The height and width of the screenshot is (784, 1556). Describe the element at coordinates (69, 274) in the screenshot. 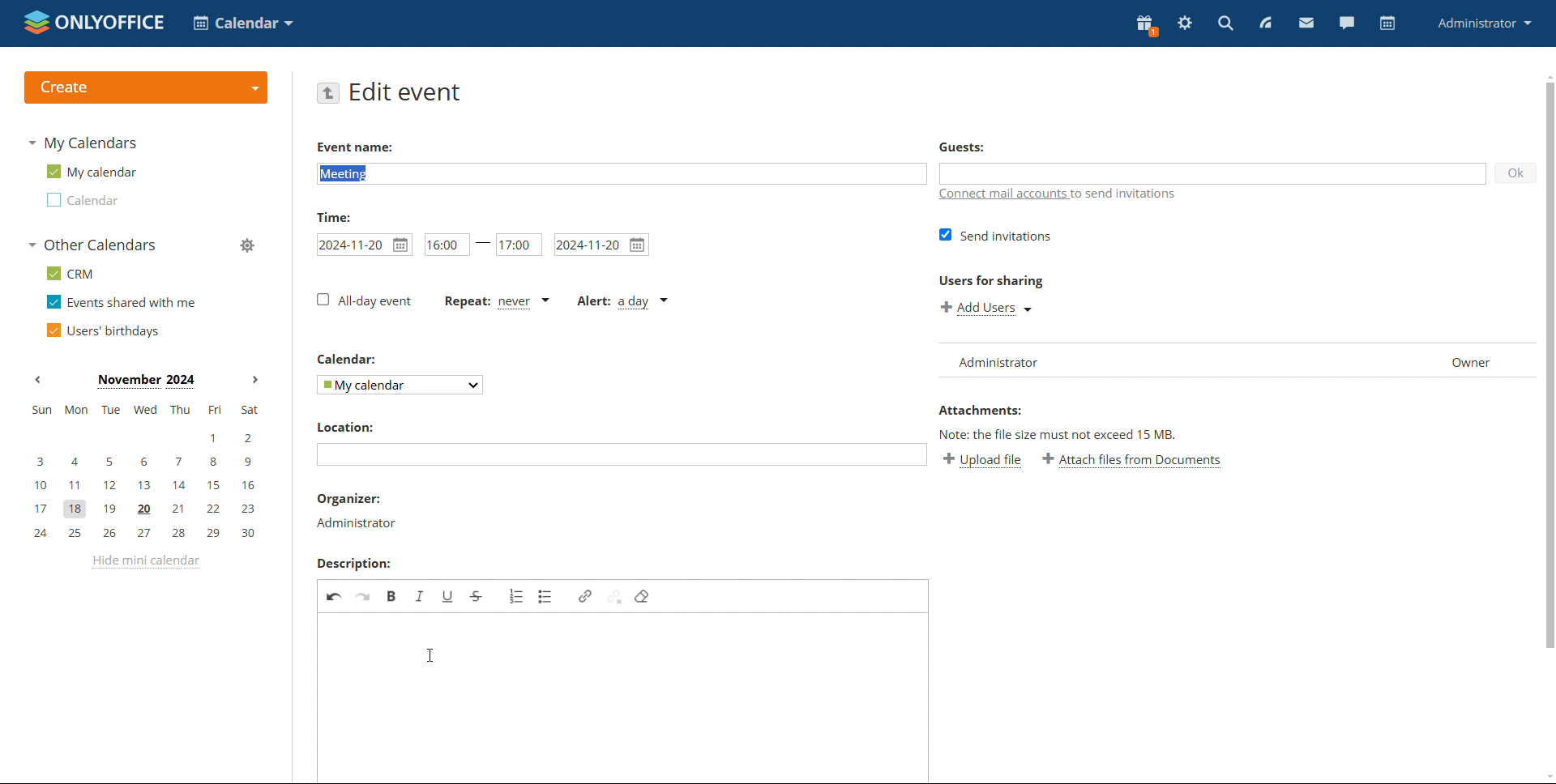

I see `crm` at that location.